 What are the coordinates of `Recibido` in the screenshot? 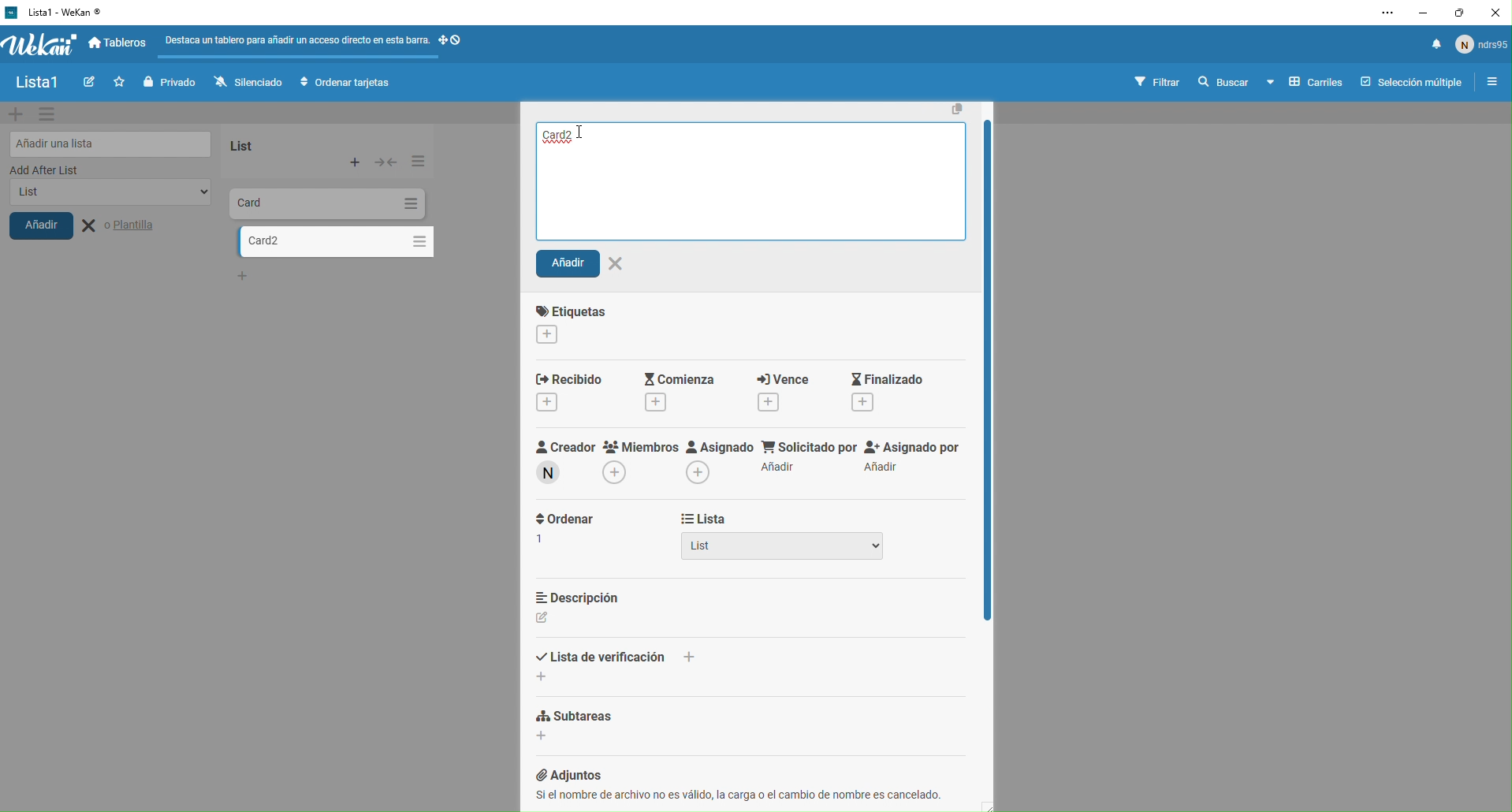 It's located at (573, 389).